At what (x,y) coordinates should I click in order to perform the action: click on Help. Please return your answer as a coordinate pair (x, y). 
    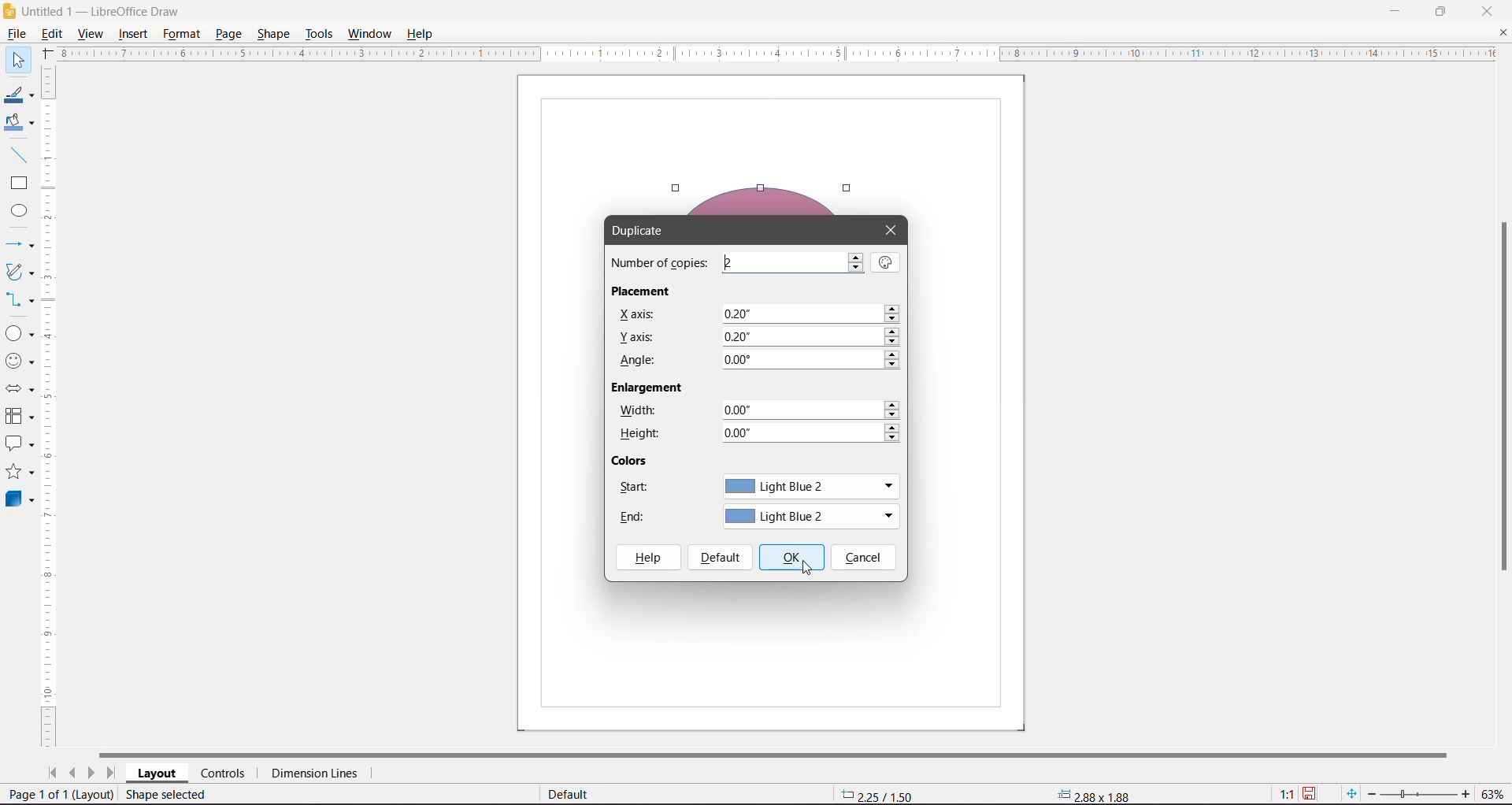
    Looking at the image, I should click on (650, 558).